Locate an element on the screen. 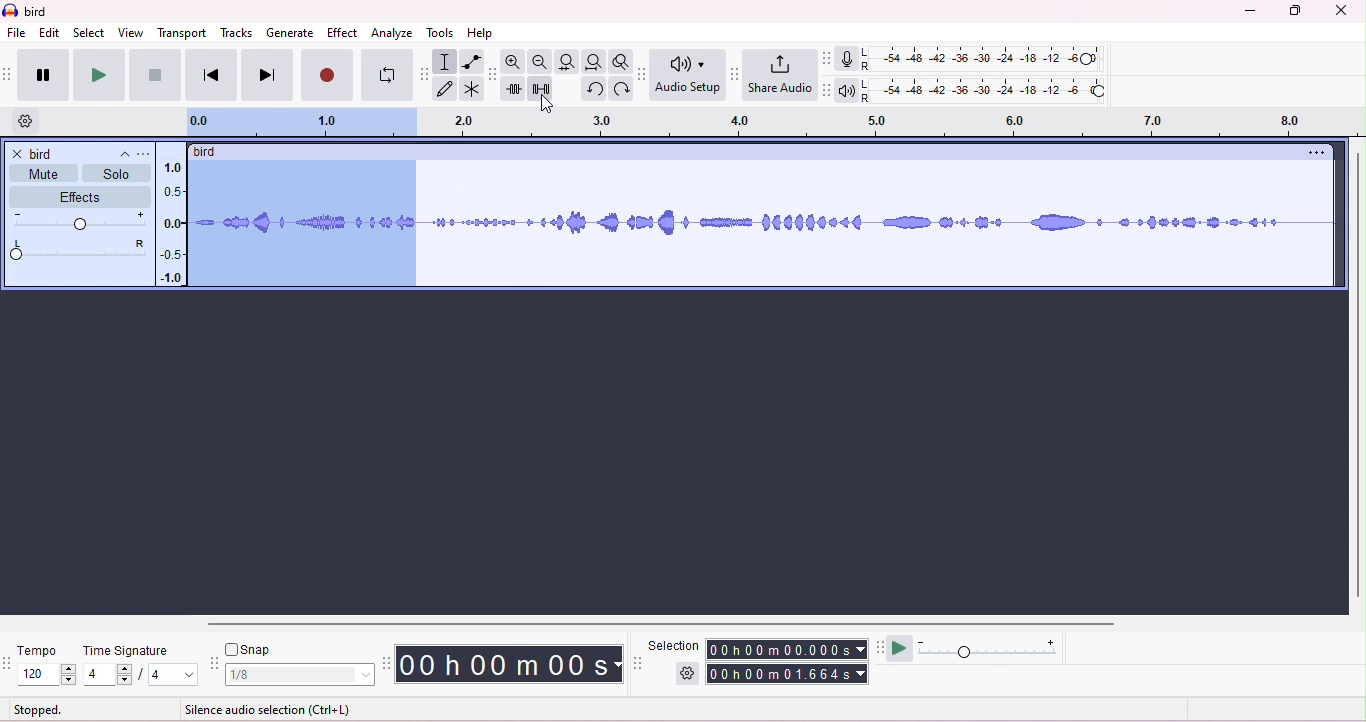 The width and height of the screenshot is (1366, 722). transport is located at coordinates (183, 34).